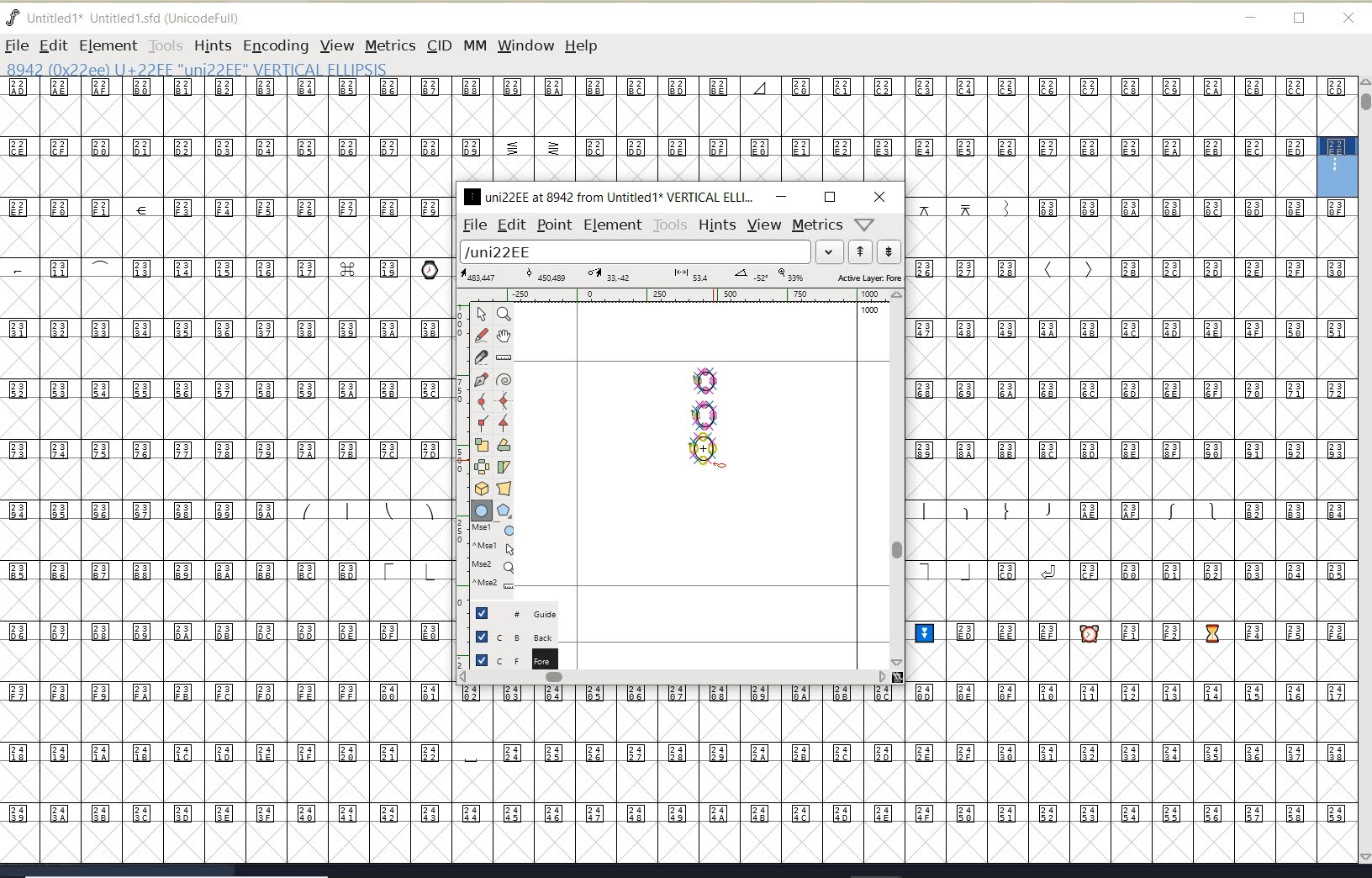  What do you see at coordinates (674, 297) in the screenshot?
I see `ruler` at bounding box center [674, 297].